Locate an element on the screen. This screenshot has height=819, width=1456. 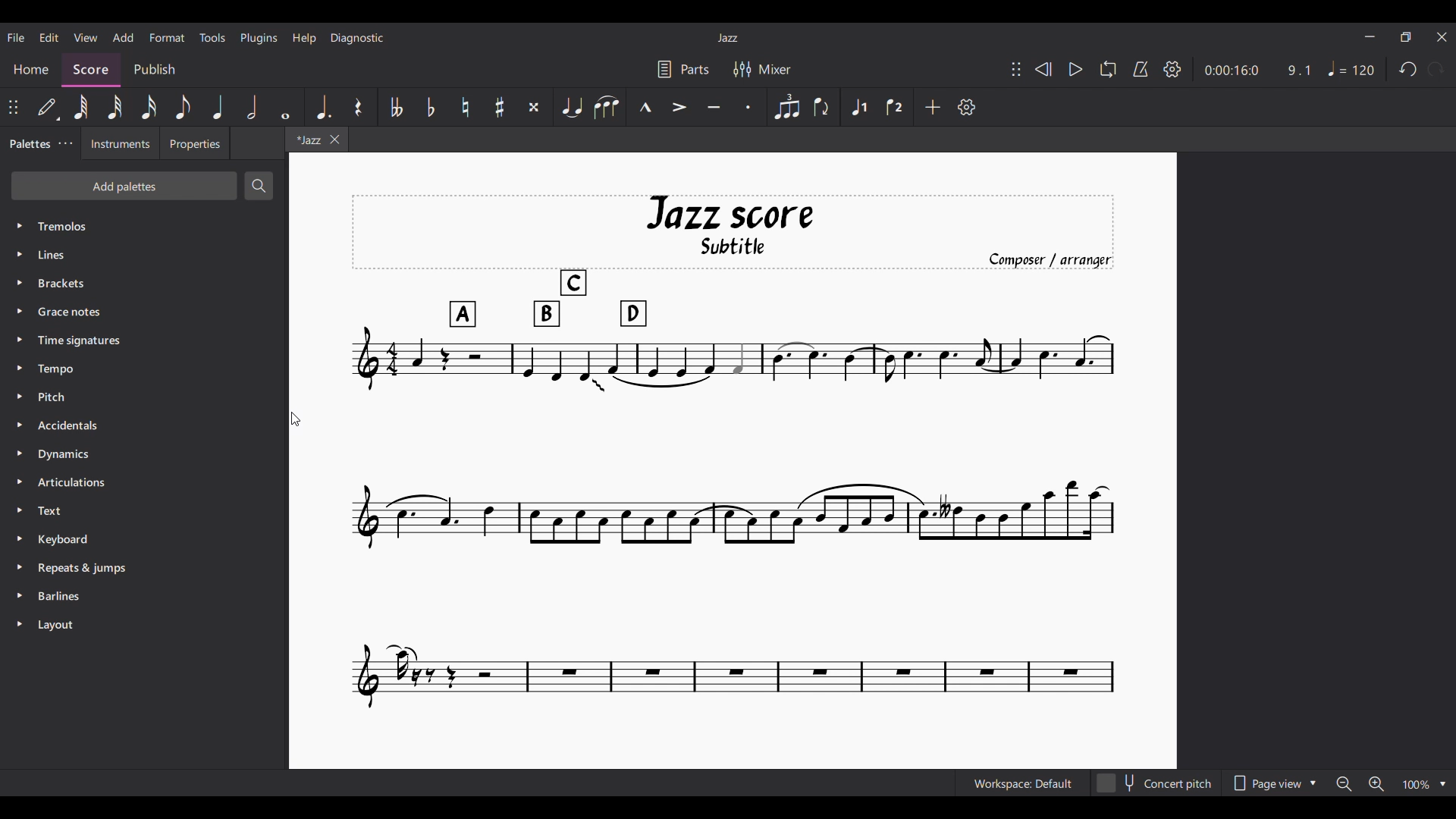
Settings is located at coordinates (1172, 69).